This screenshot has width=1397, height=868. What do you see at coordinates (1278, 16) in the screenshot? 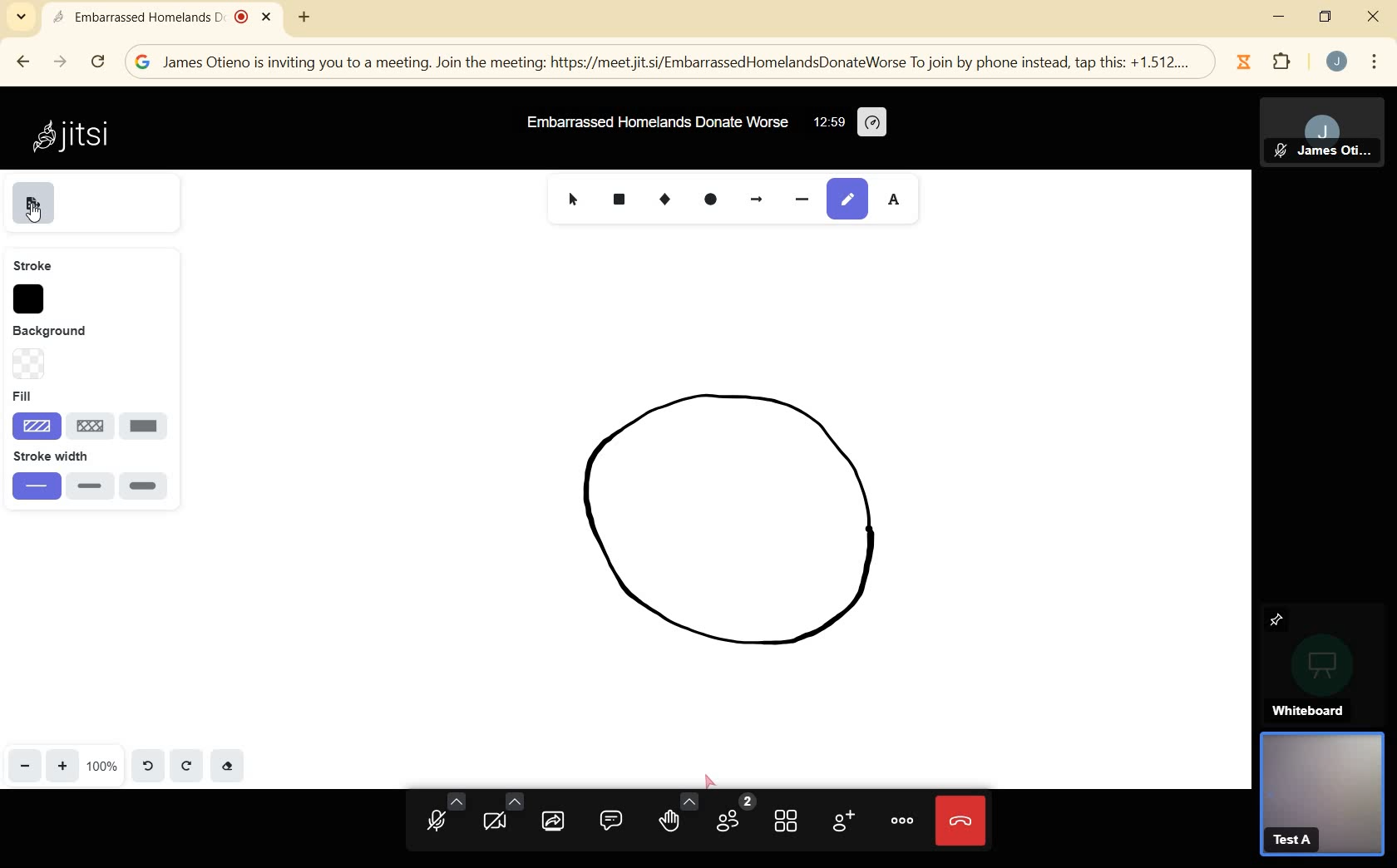
I see `minimize` at bounding box center [1278, 16].